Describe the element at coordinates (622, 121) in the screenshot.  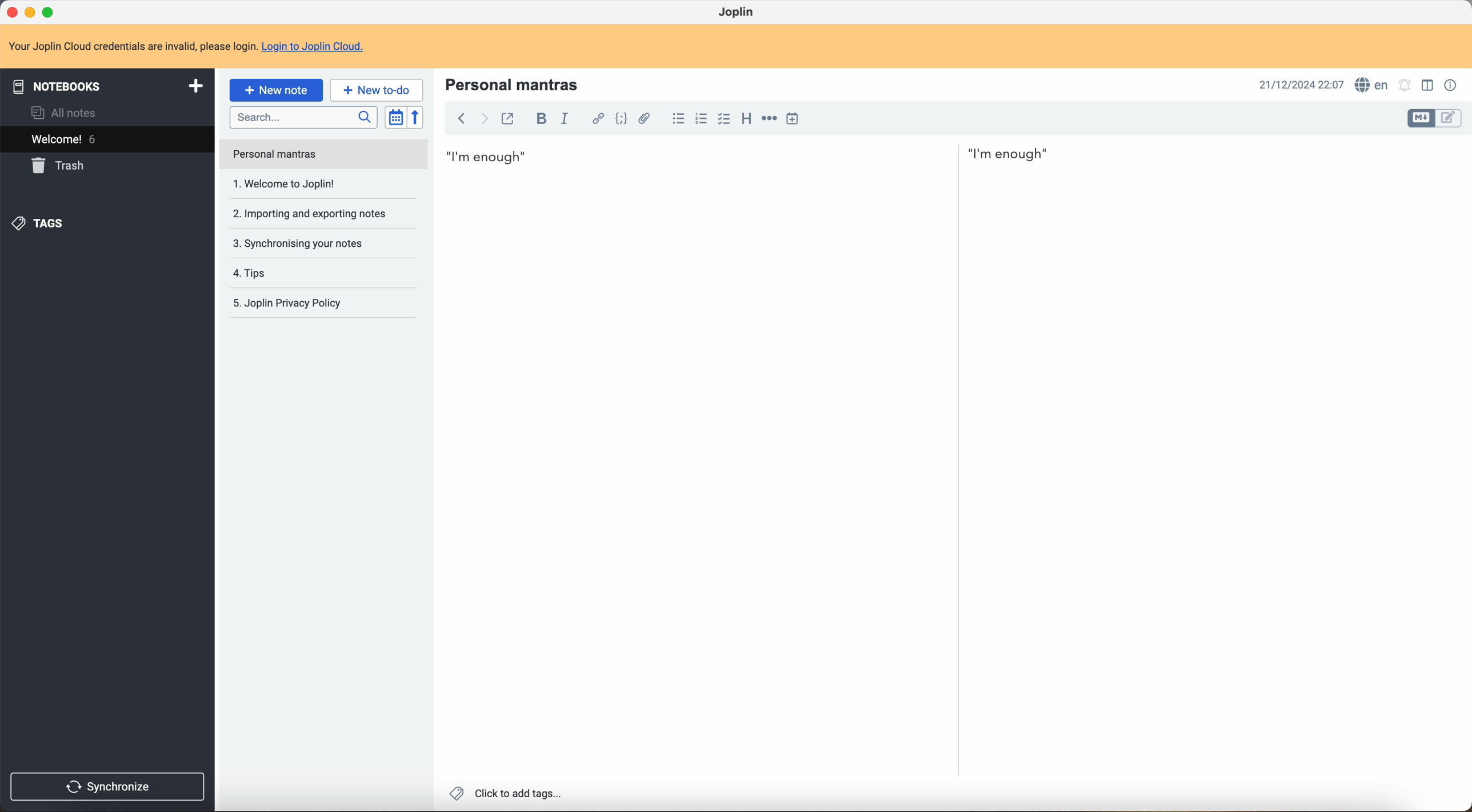
I see `code` at that location.